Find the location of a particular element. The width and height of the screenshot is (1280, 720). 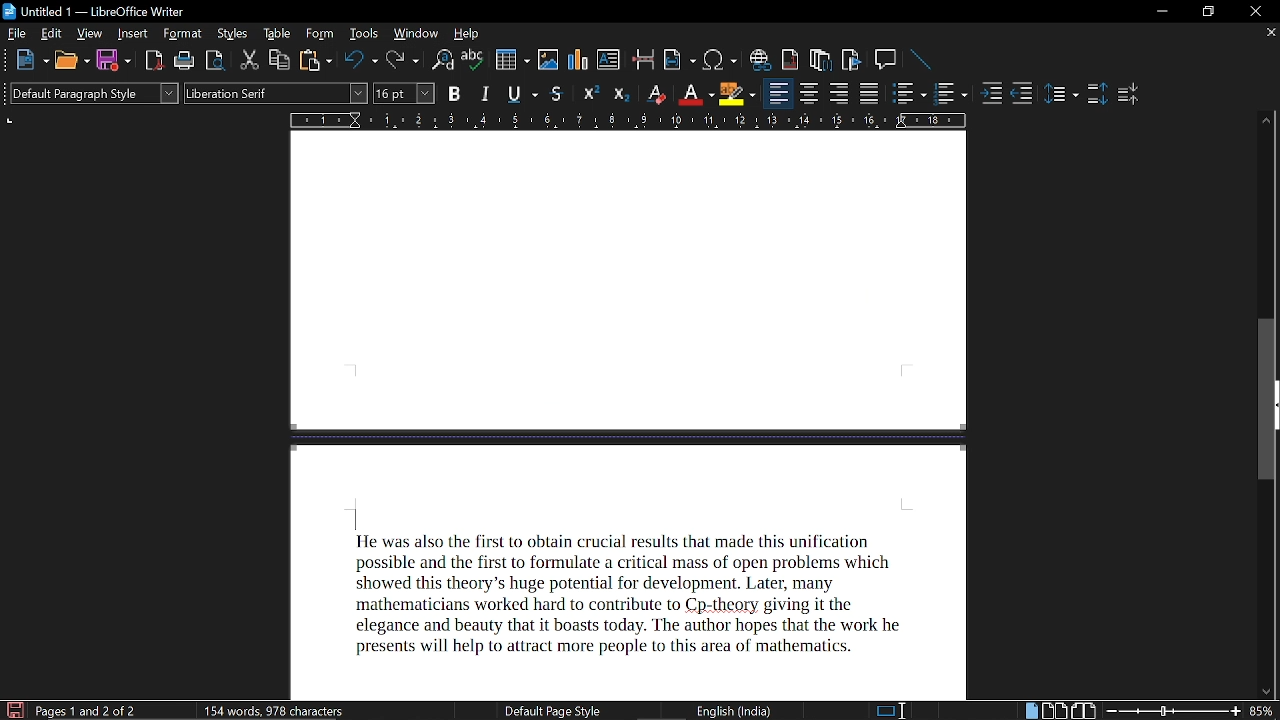

Vertical scrollbar is located at coordinates (1270, 311).